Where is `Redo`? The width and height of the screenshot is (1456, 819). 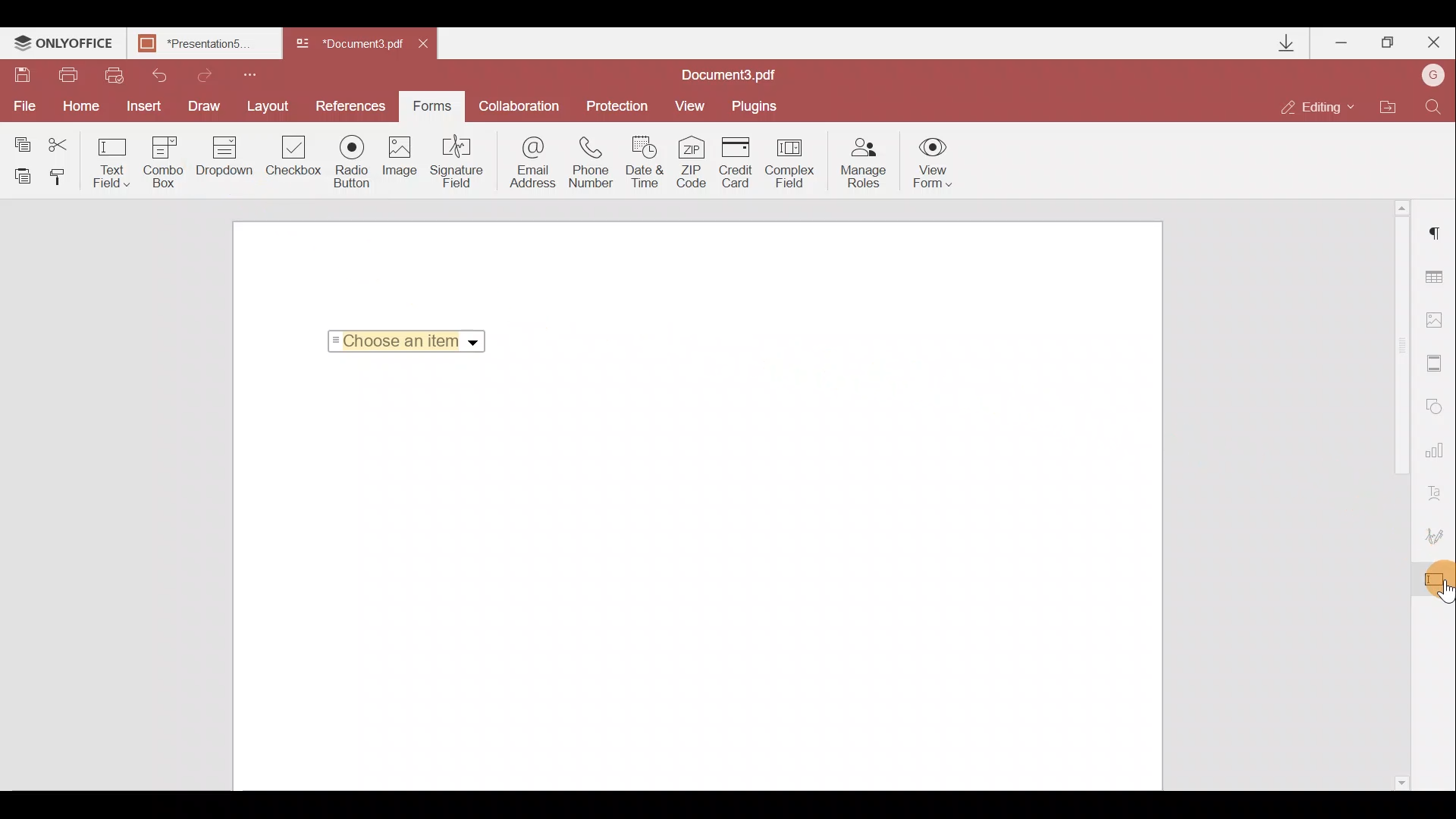 Redo is located at coordinates (206, 74).